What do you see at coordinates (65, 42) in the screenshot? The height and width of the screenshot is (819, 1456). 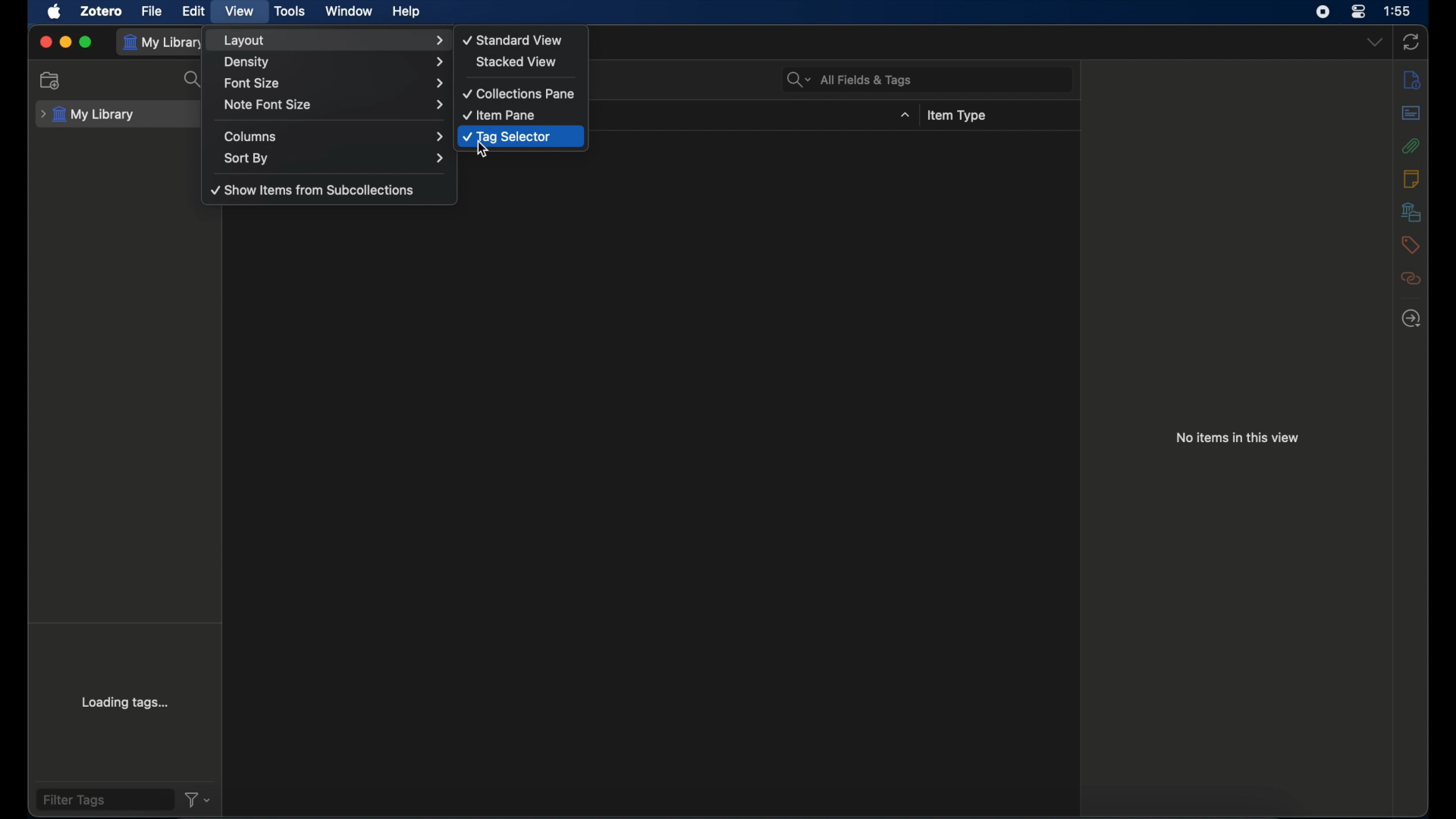 I see `minimize` at bounding box center [65, 42].